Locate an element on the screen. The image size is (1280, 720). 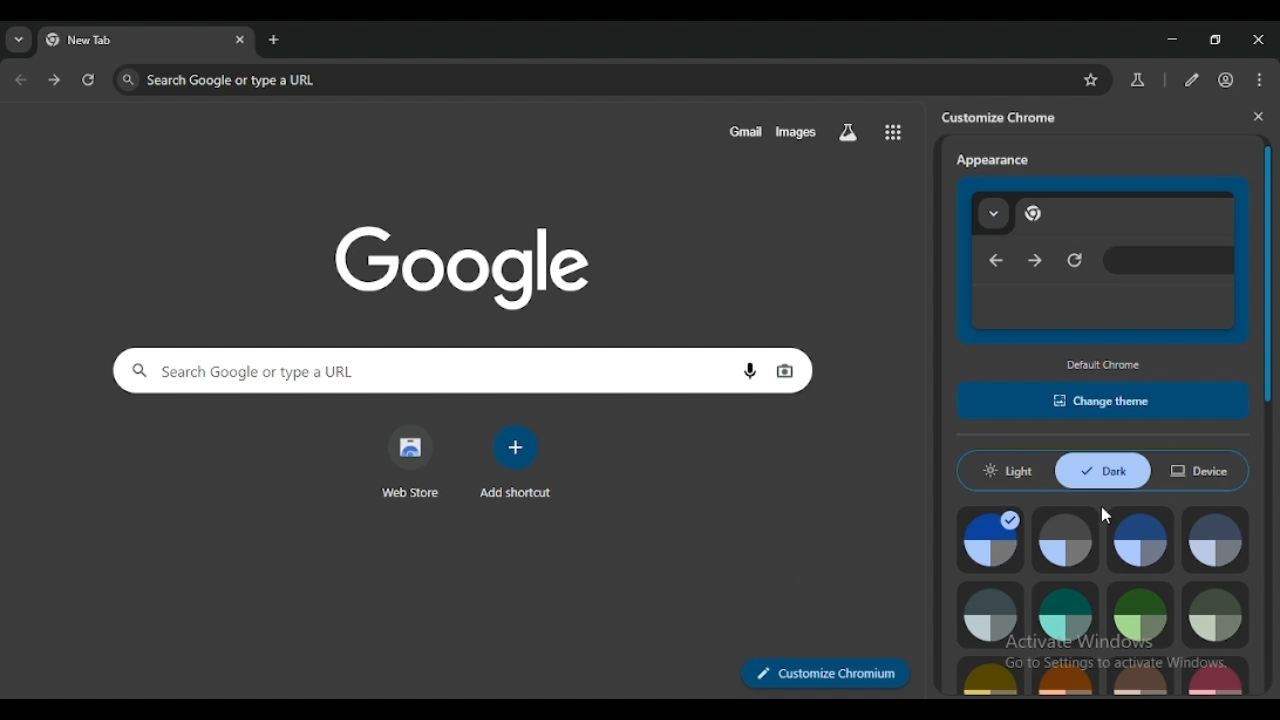
click to go back is located at coordinates (20, 81).